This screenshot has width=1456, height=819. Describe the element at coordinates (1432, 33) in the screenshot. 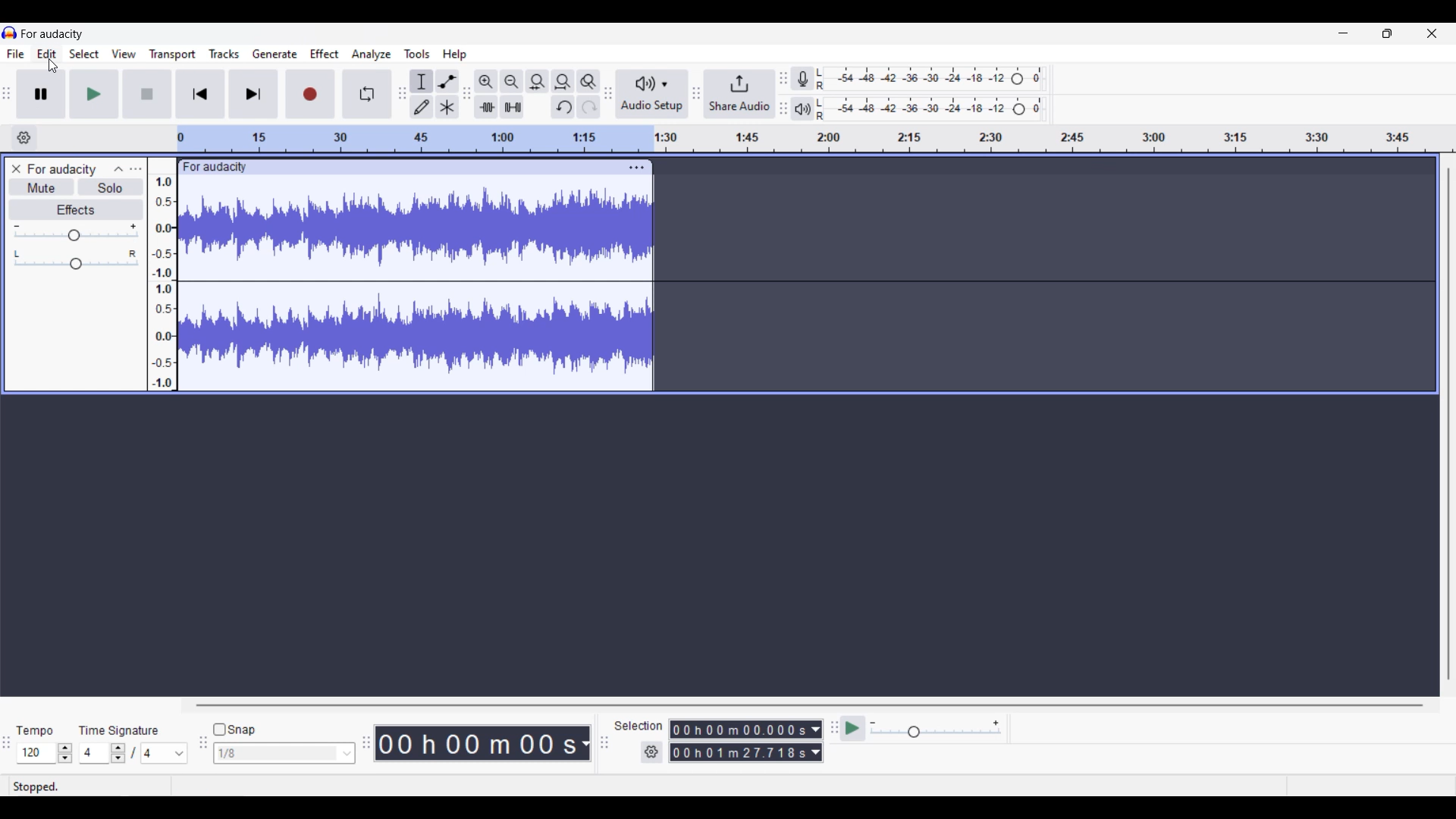

I see `Close interface` at that location.